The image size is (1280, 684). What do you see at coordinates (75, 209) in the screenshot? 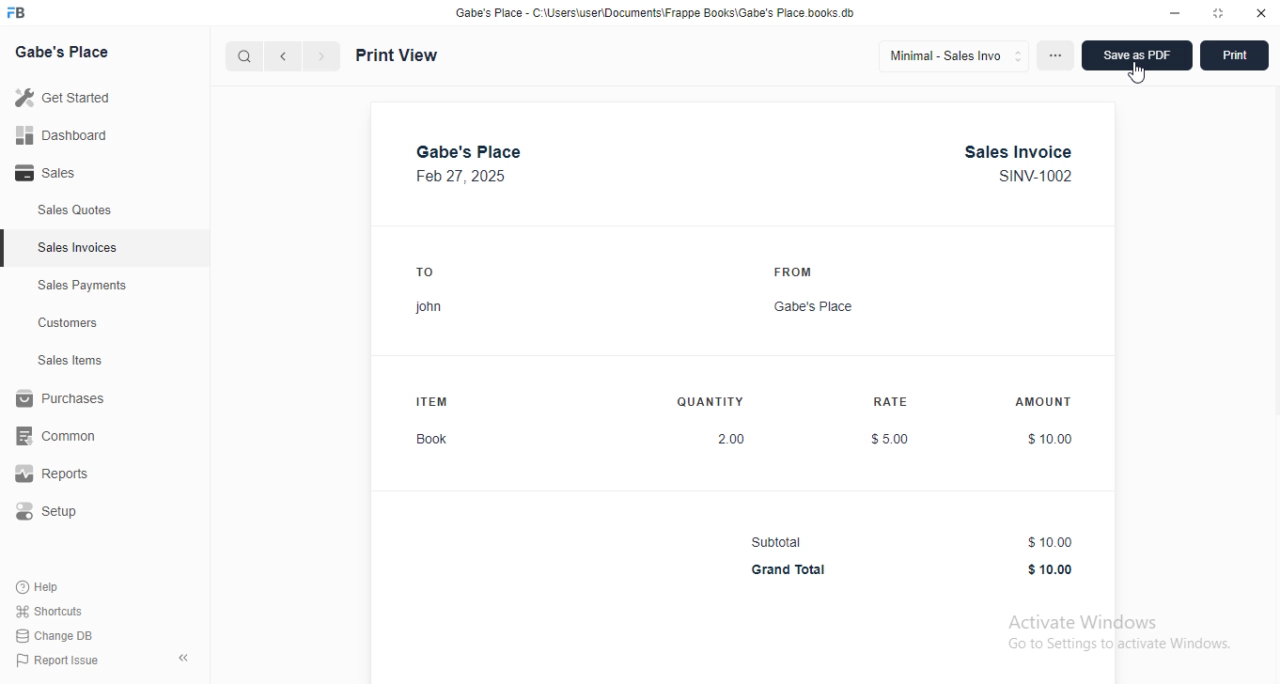
I see `sales quotes` at bounding box center [75, 209].